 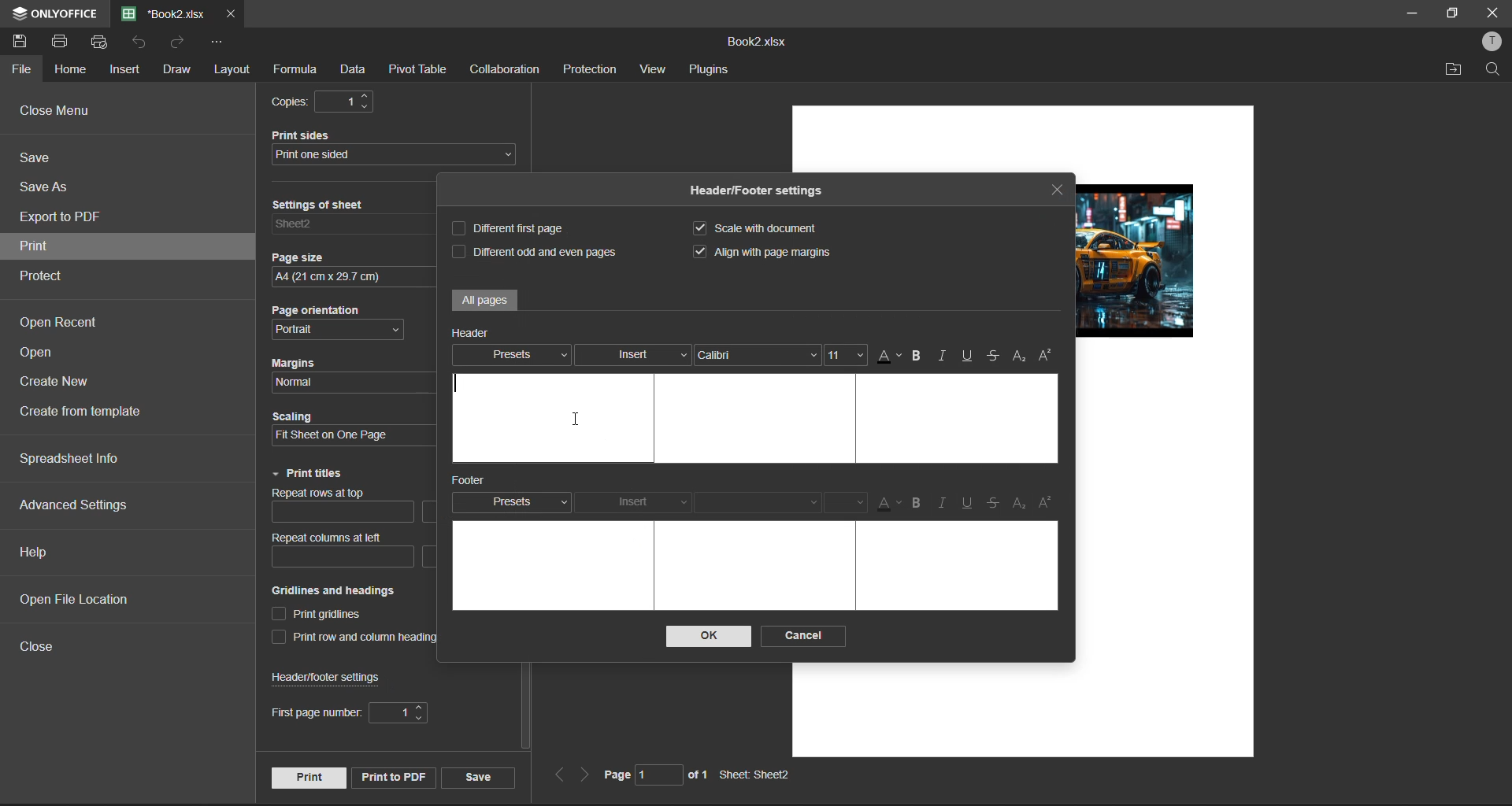 What do you see at coordinates (335, 552) in the screenshot?
I see `repeat columns at left` at bounding box center [335, 552].